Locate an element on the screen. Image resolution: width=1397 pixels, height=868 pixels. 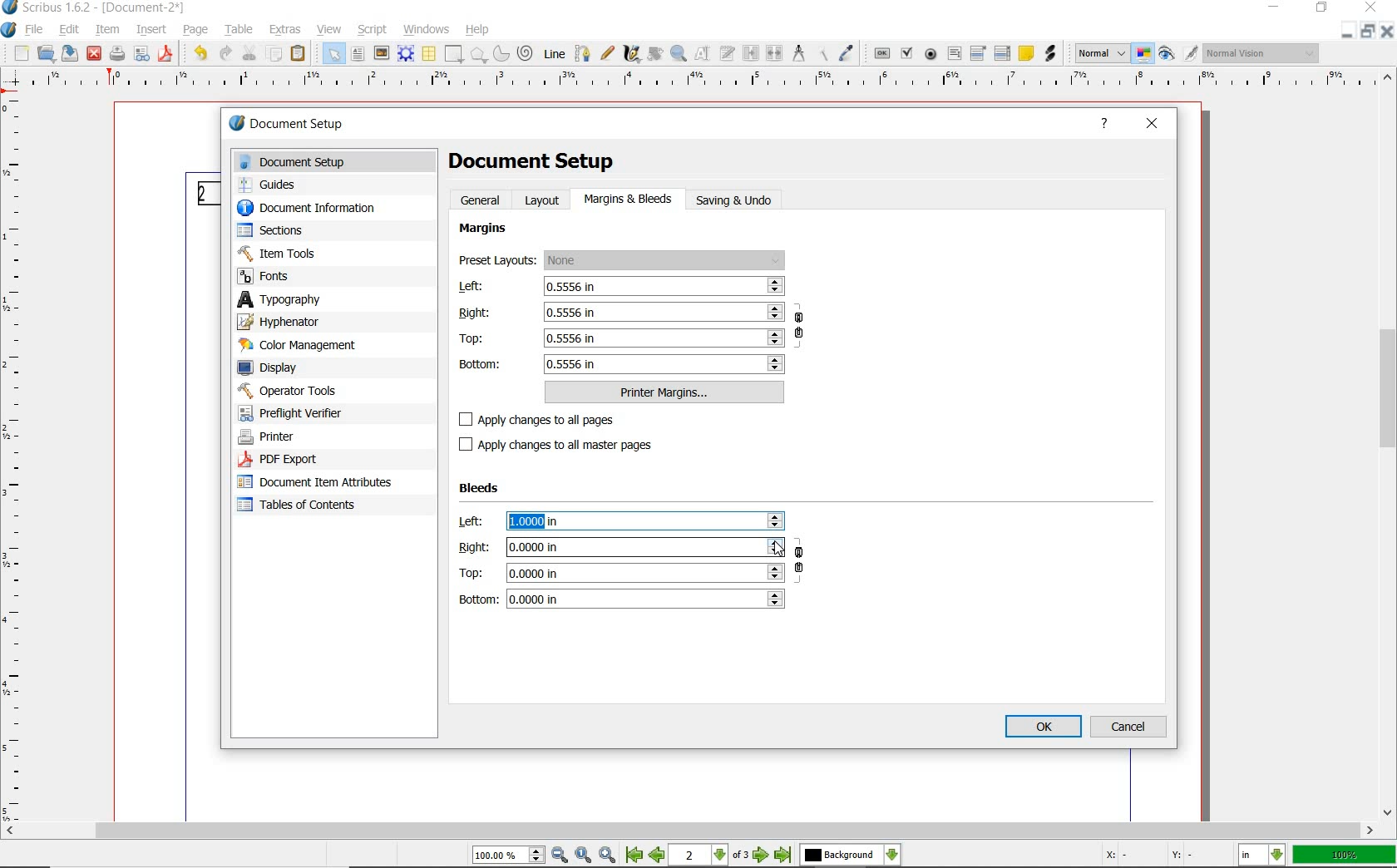
close is located at coordinates (1370, 8).